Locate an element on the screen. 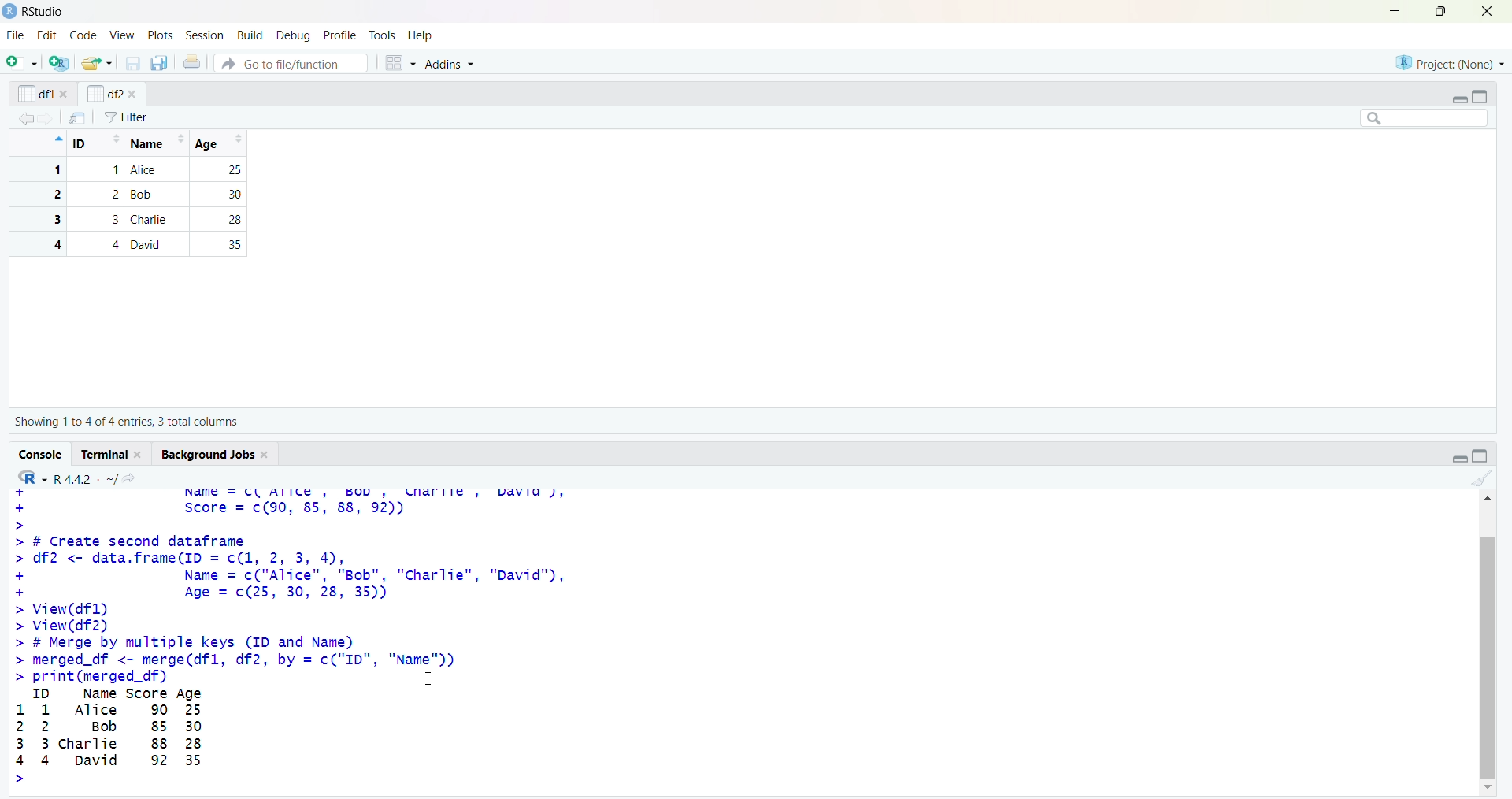  close is located at coordinates (267, 455).